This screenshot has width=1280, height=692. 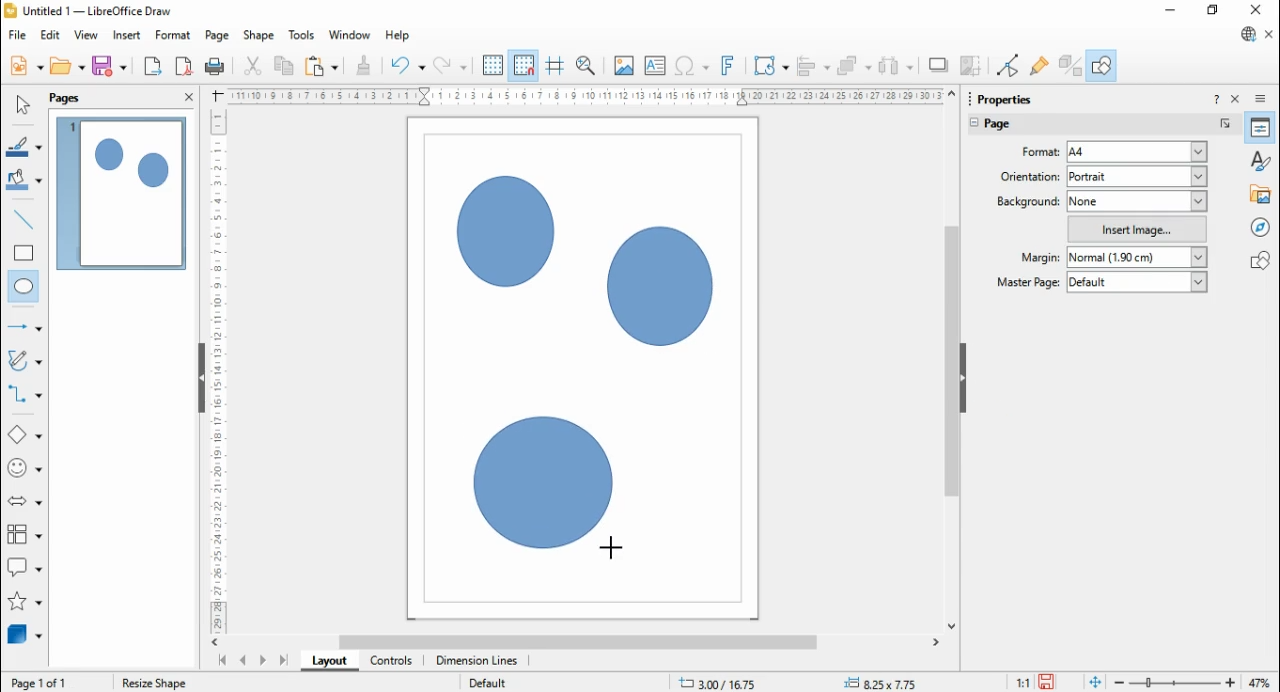 What do you see at coordinates (478, 661) in the screenshot?
I see `dimension lines` at bounding box center [478, 661].